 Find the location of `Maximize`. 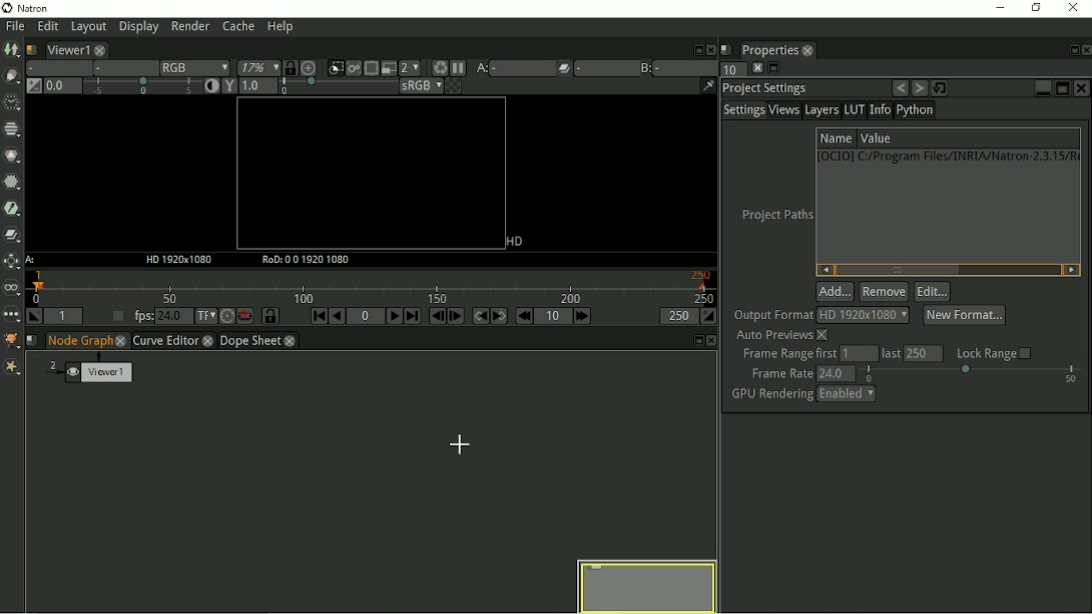

Maximize is located at coordinates (1062, 88).